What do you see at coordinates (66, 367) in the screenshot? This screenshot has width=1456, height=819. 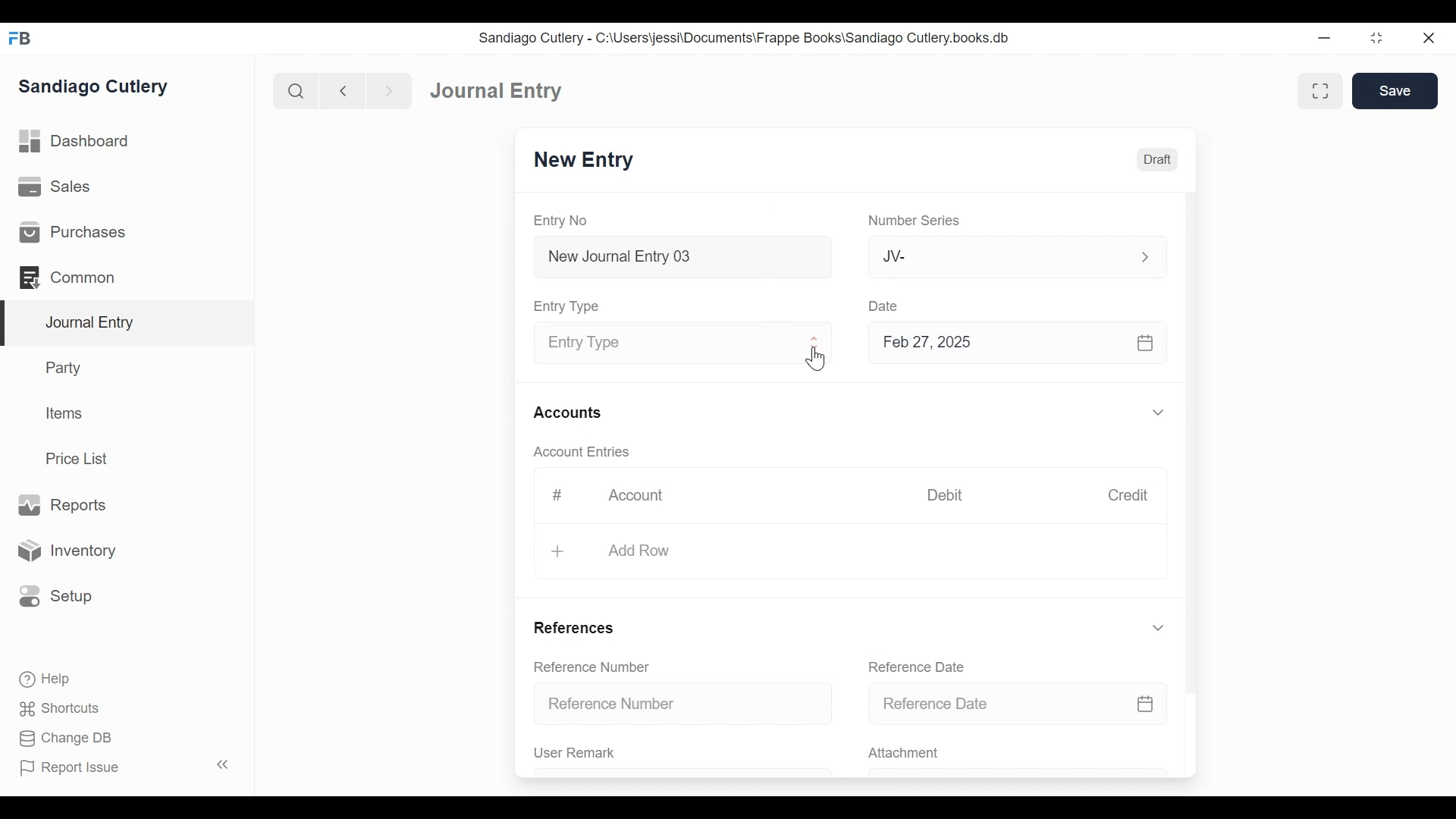 I see `Party` at bounding box center [66, 367].